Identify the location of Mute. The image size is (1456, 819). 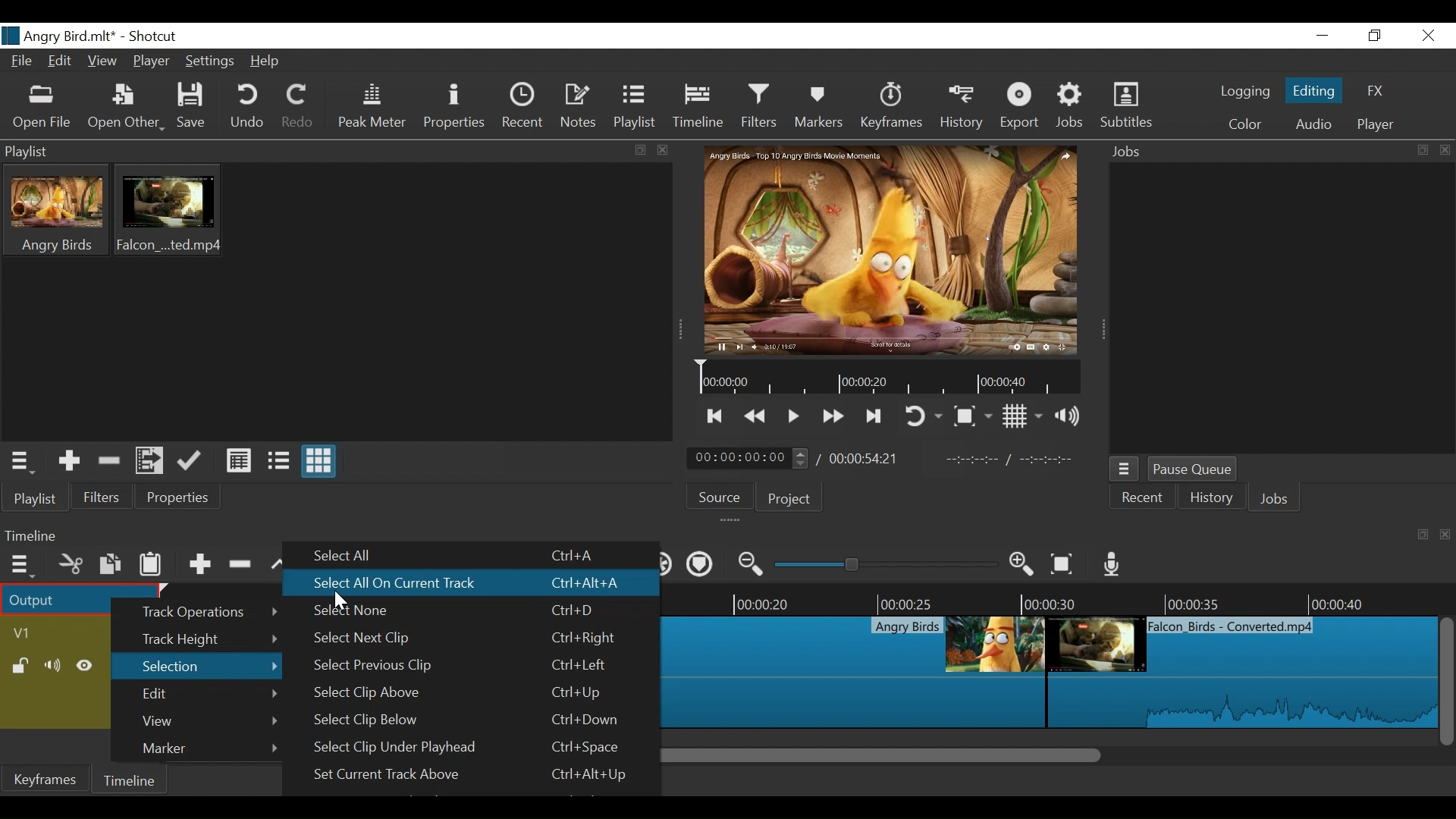
(52, 665).